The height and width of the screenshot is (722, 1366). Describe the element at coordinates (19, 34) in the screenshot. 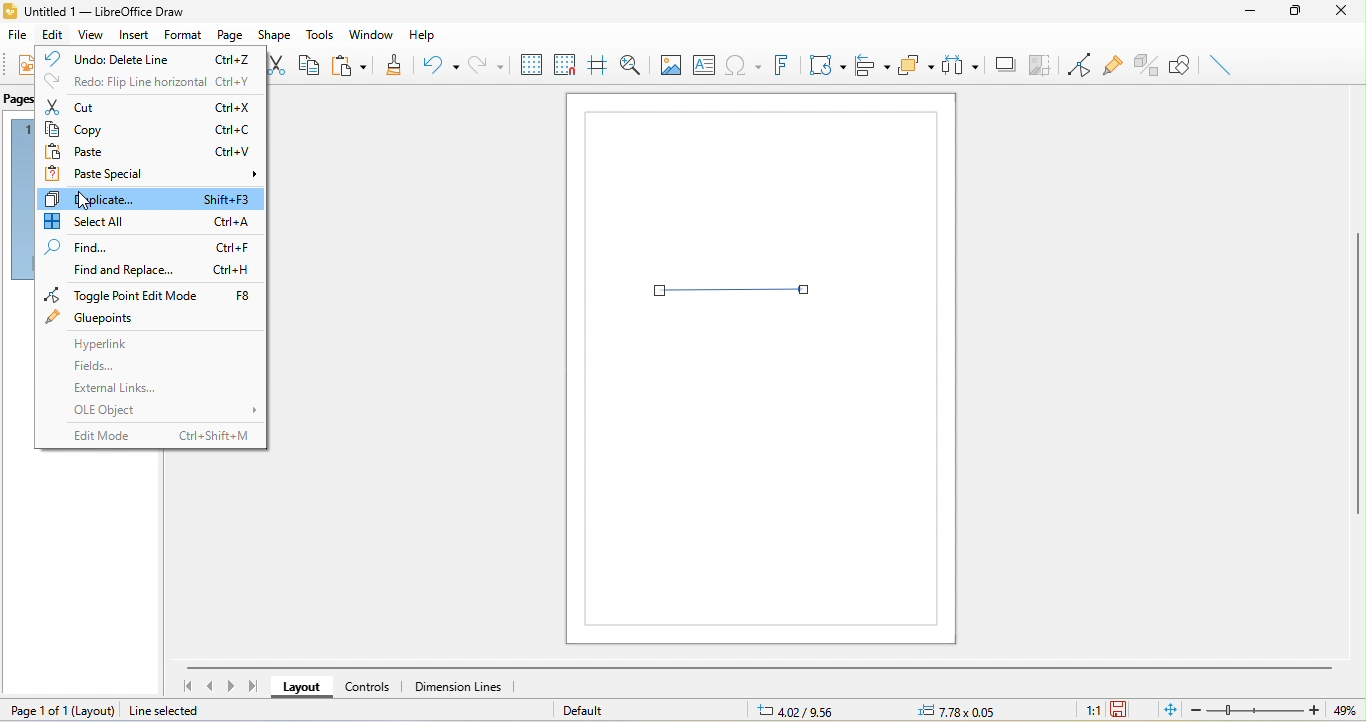

I see `file` at that location.